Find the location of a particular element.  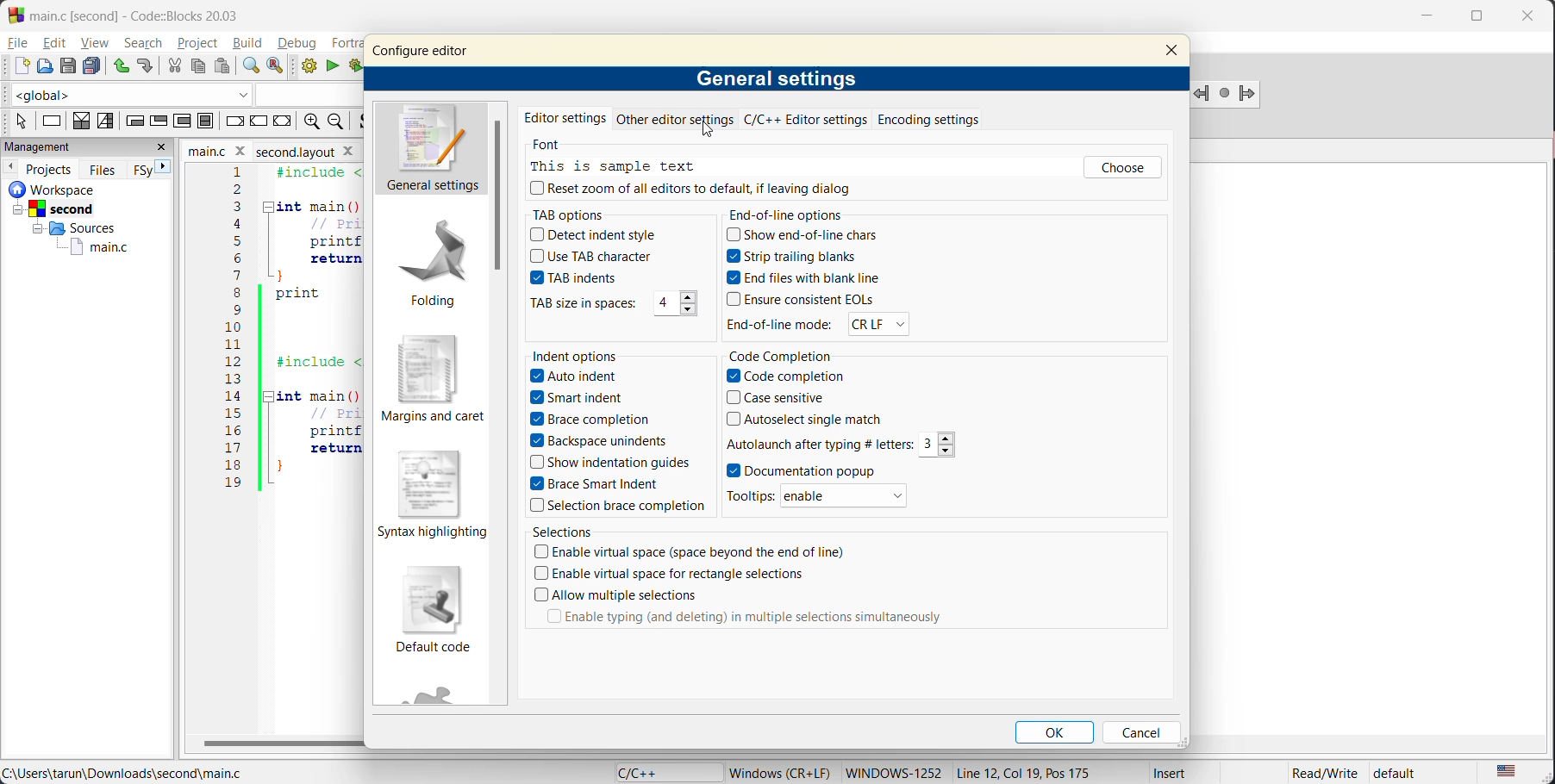

code completion is located at coordinates (864, 354).